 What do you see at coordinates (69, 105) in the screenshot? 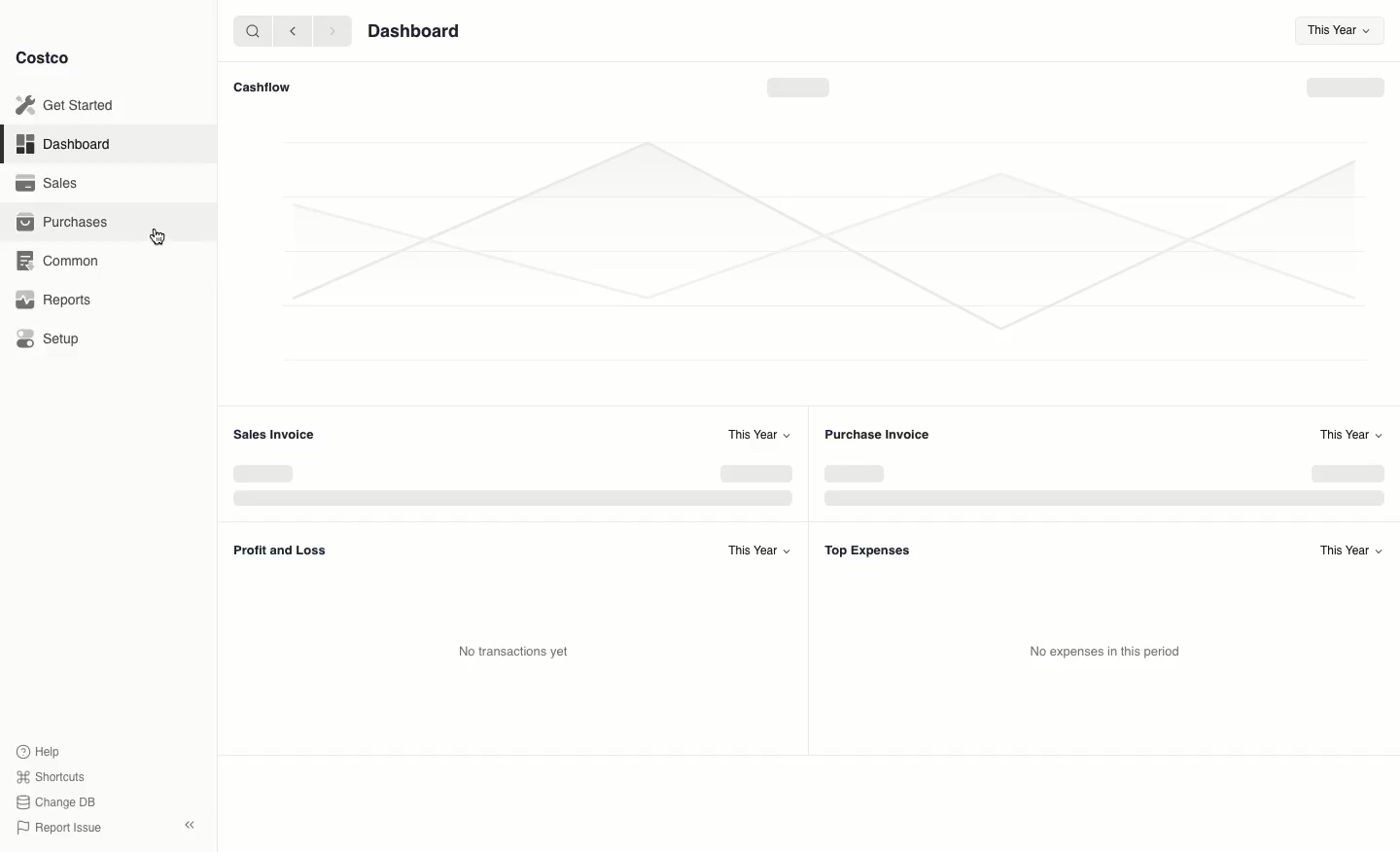
I see `Get Started` at bounding box center [69, 105].